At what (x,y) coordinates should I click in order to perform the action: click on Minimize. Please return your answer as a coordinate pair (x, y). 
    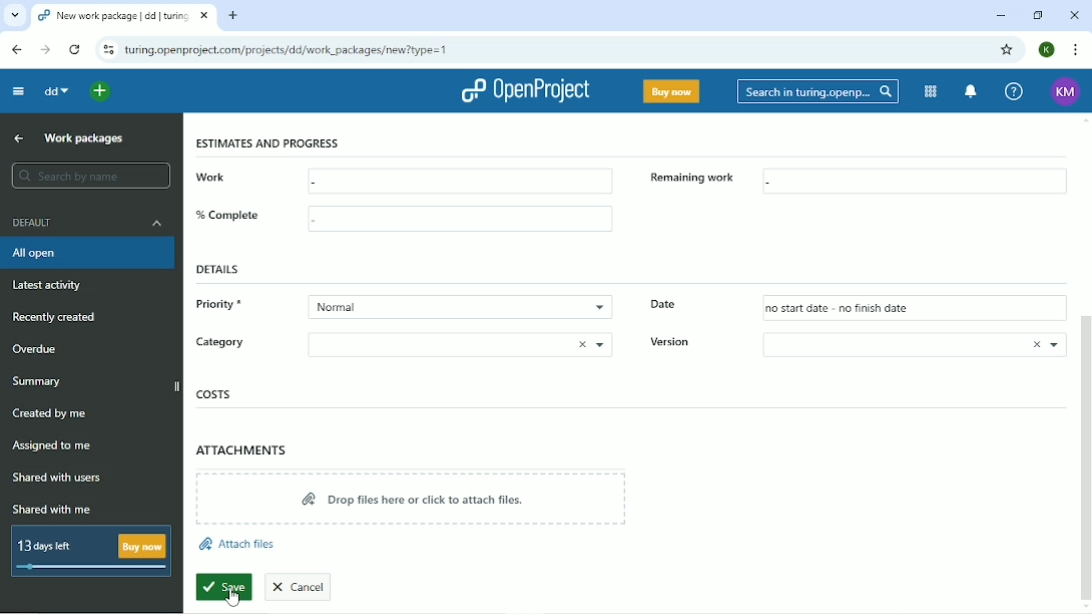
    Looking at the image, I should click on (1001, 15).